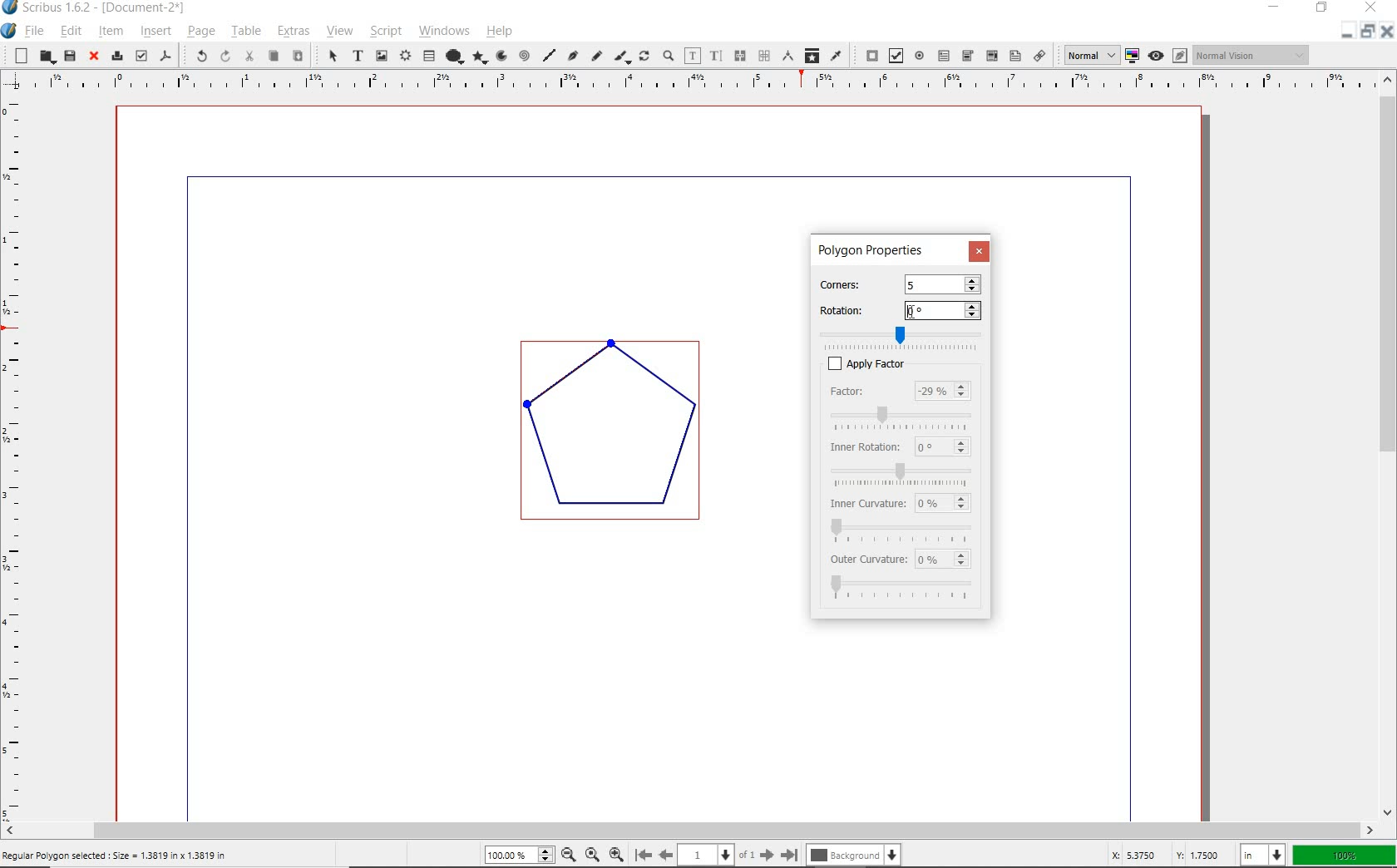 The height and width of the screenshot is (868, 1397). I want to click on restore, so click(1323, 9).